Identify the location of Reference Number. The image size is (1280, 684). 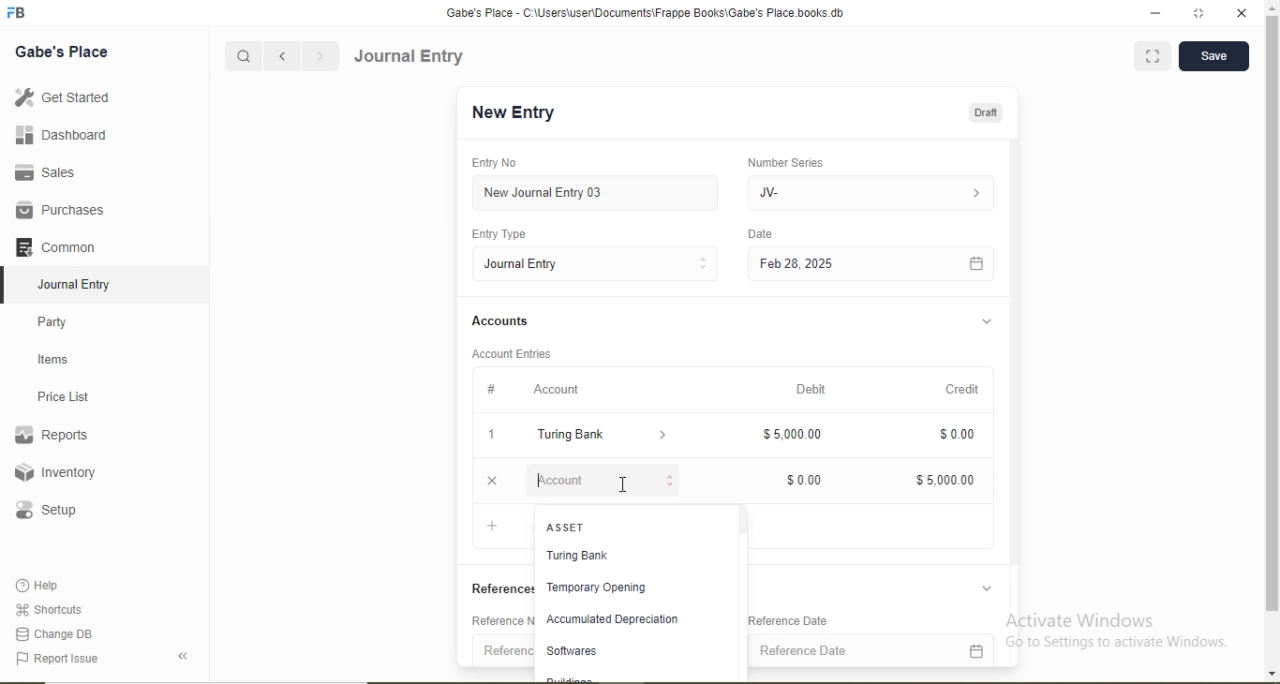
(503, 620).